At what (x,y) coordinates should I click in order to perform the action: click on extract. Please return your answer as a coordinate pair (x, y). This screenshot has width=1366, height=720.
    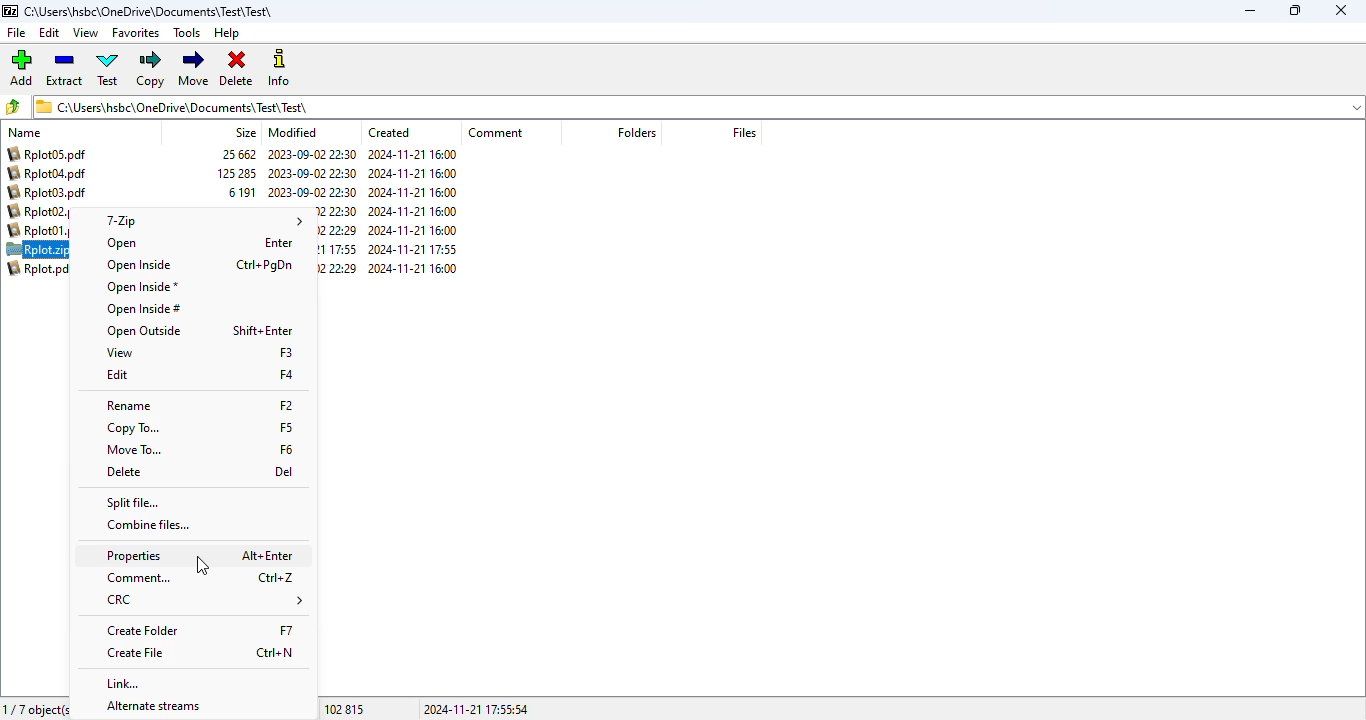
    Looking at the image, I should click on (64, 68).